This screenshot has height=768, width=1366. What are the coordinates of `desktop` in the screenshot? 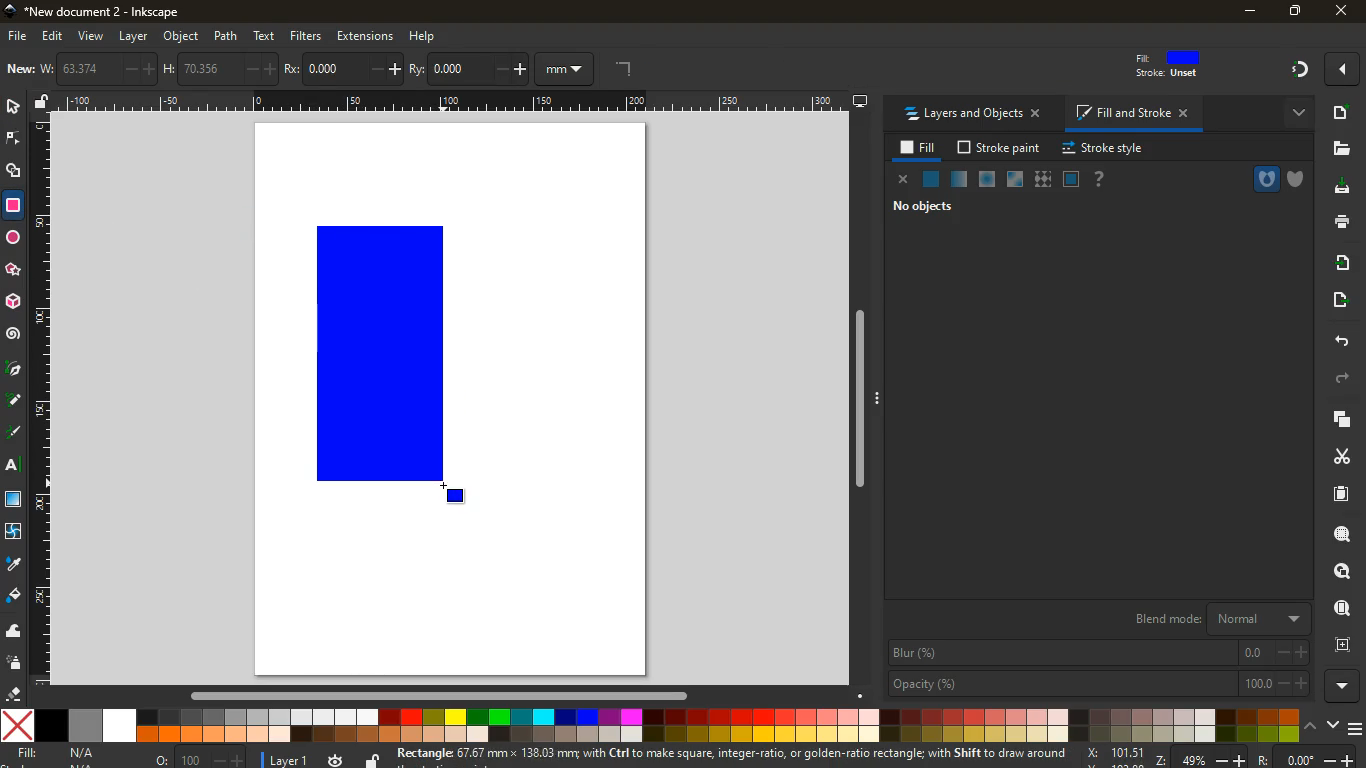 It's located at (860, 101).